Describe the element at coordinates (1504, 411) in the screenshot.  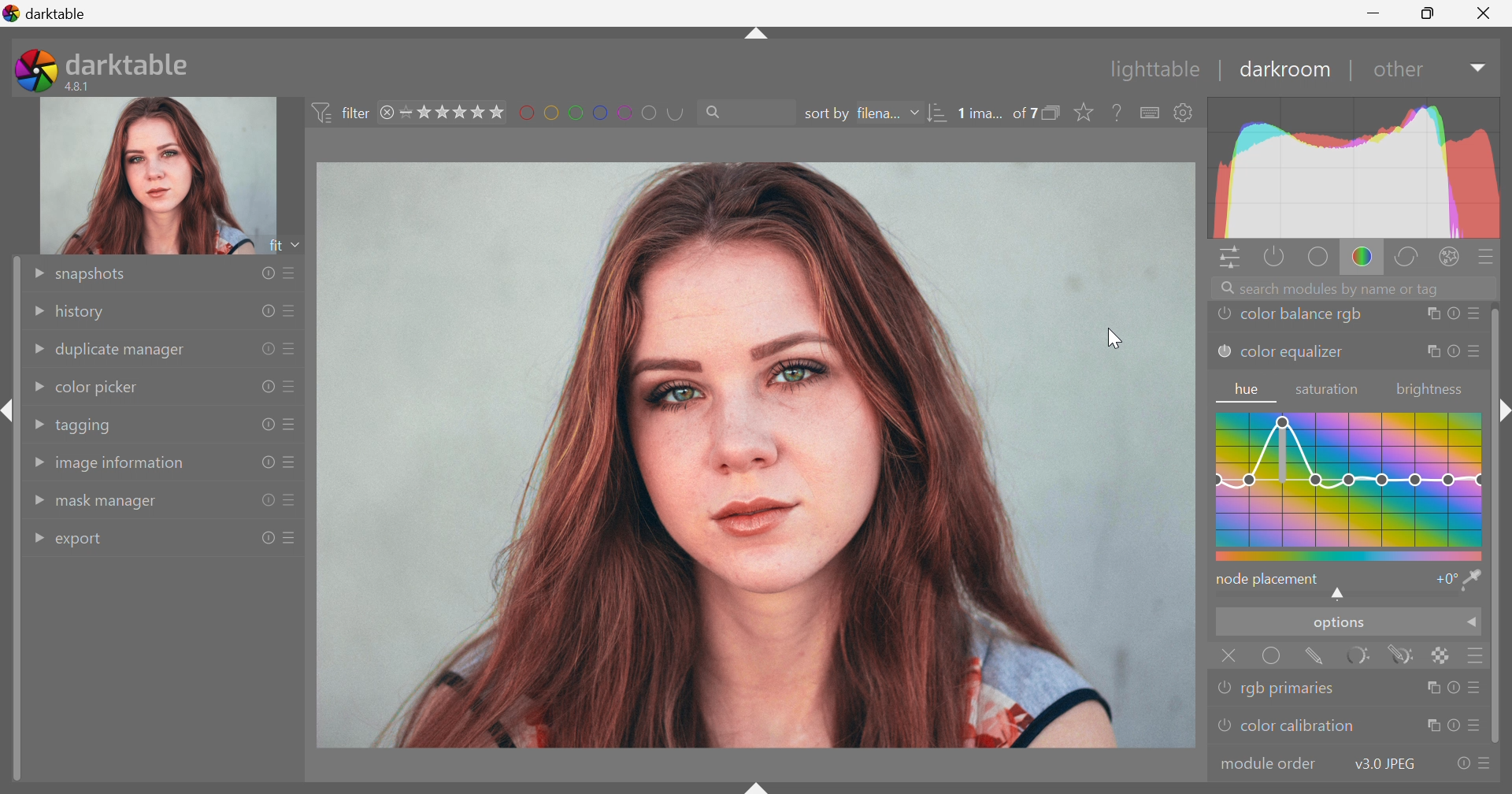
I see `Collapse ` at that location.